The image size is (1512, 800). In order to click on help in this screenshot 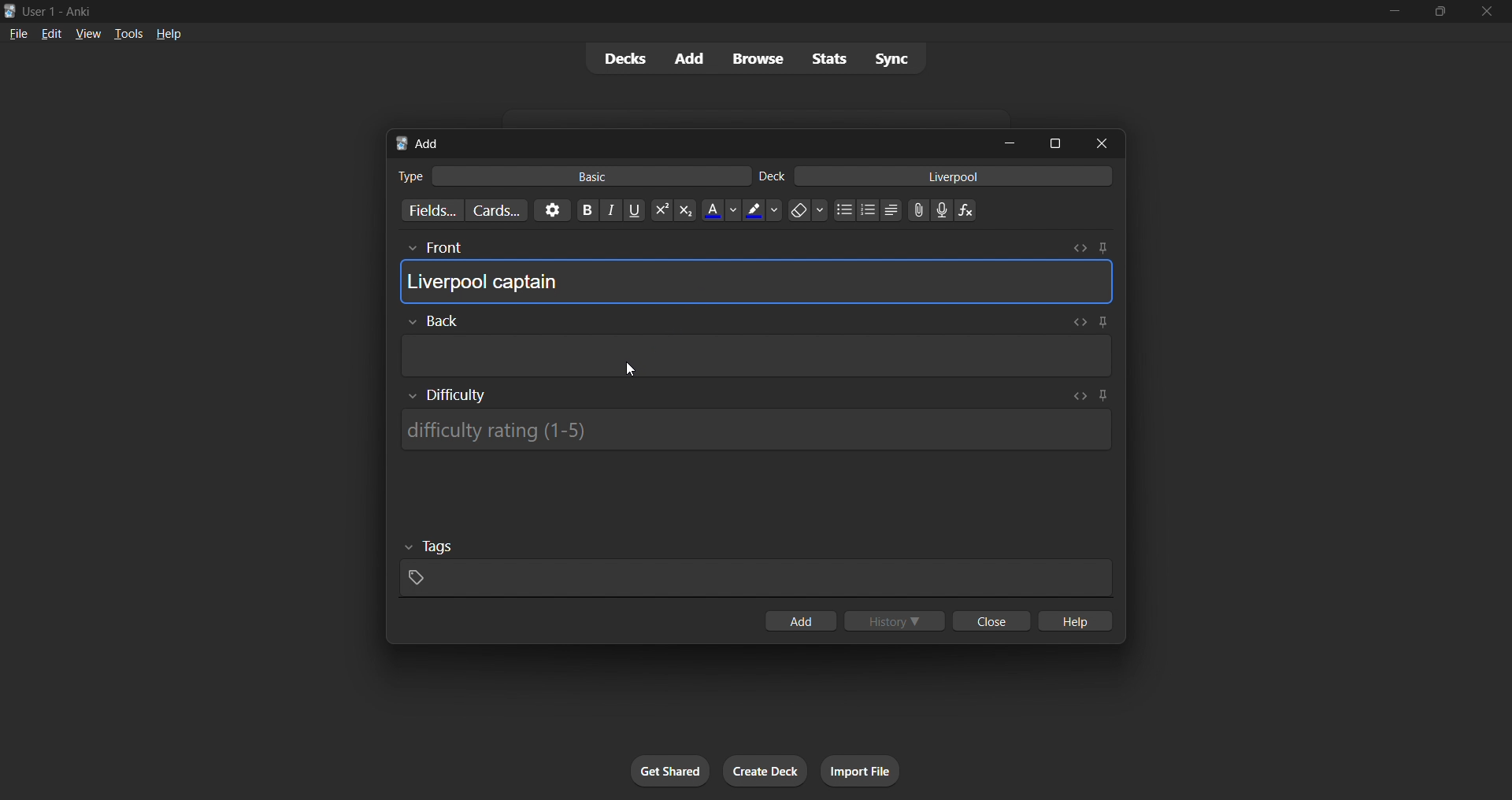, I will do `click(1073, 620)`.